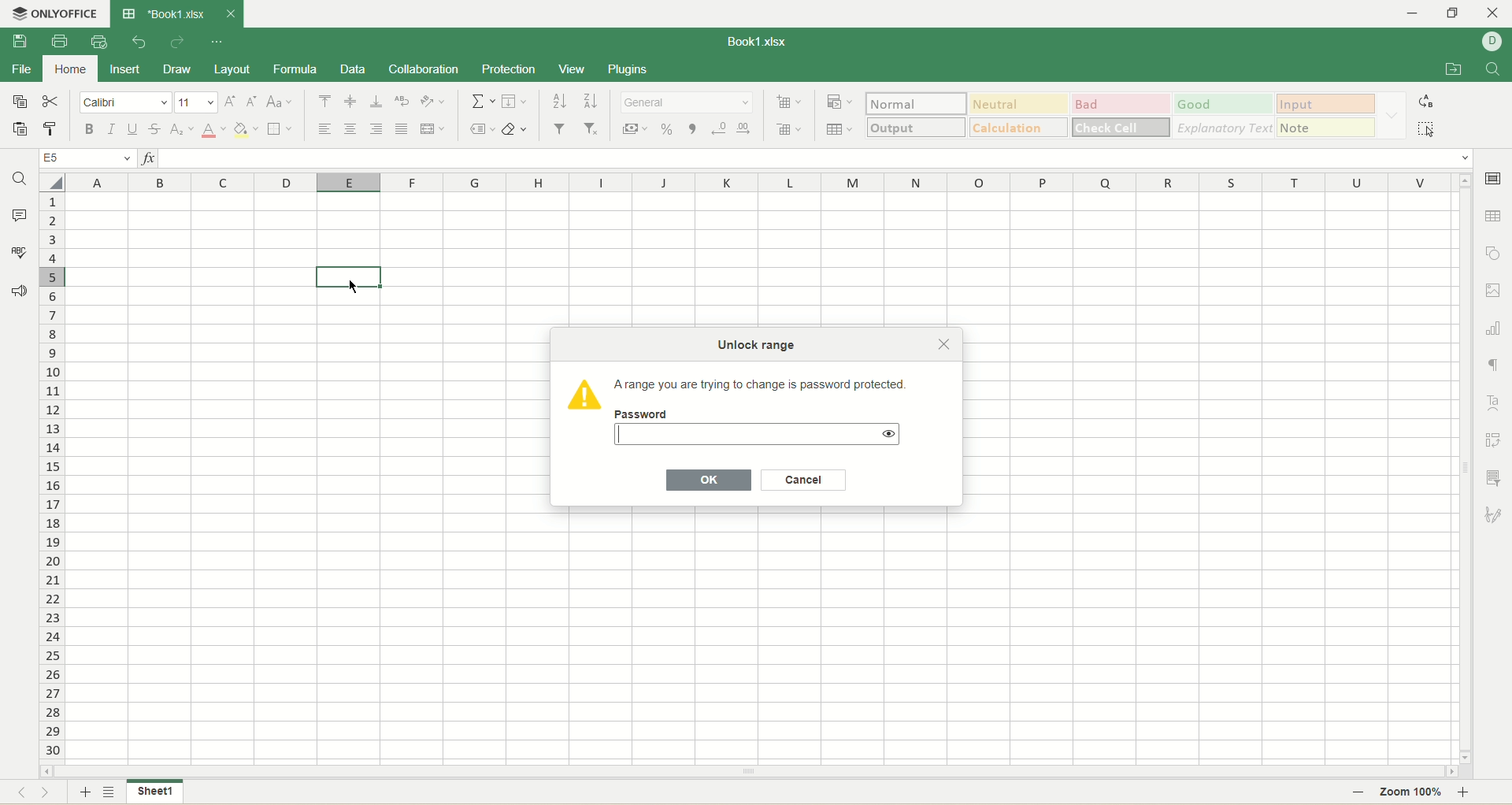  What do you see at coordinates (321, 131) in the screenshot?
I see `align left` at bounding box center [321, 131].